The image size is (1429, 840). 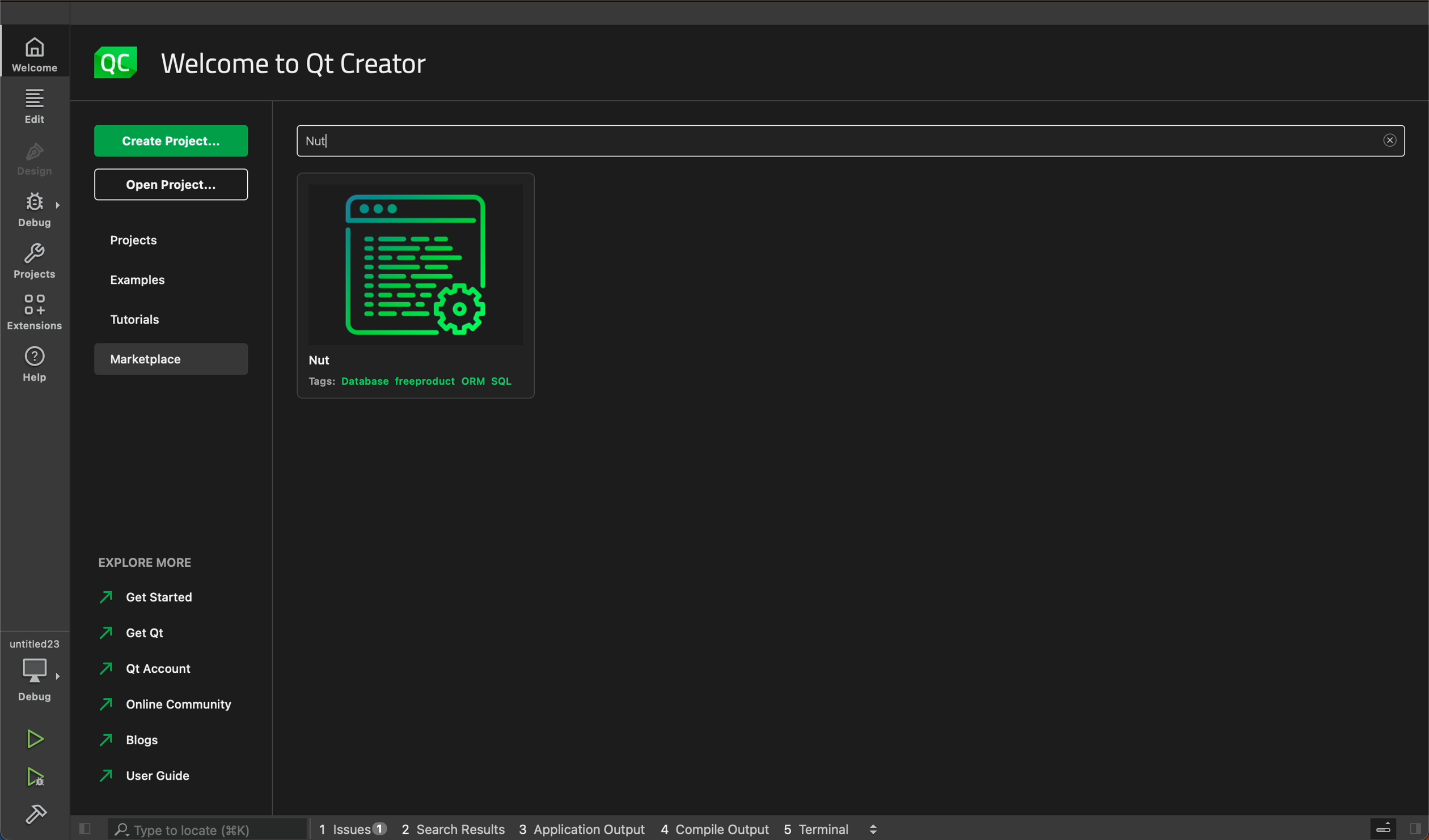 I want to click on extensions, so click(x=35, y=316).